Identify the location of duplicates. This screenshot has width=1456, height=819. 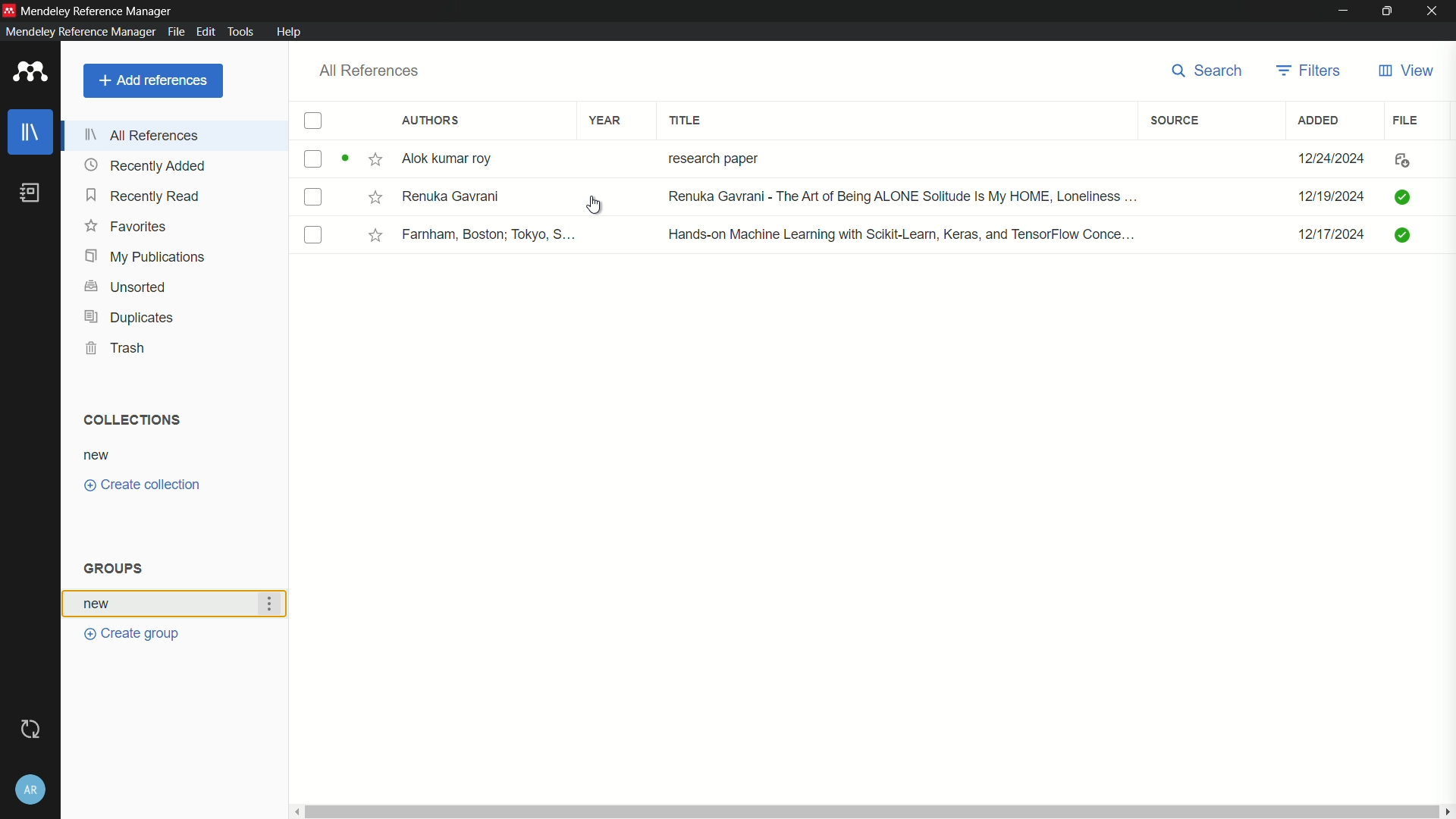
(128, 318).